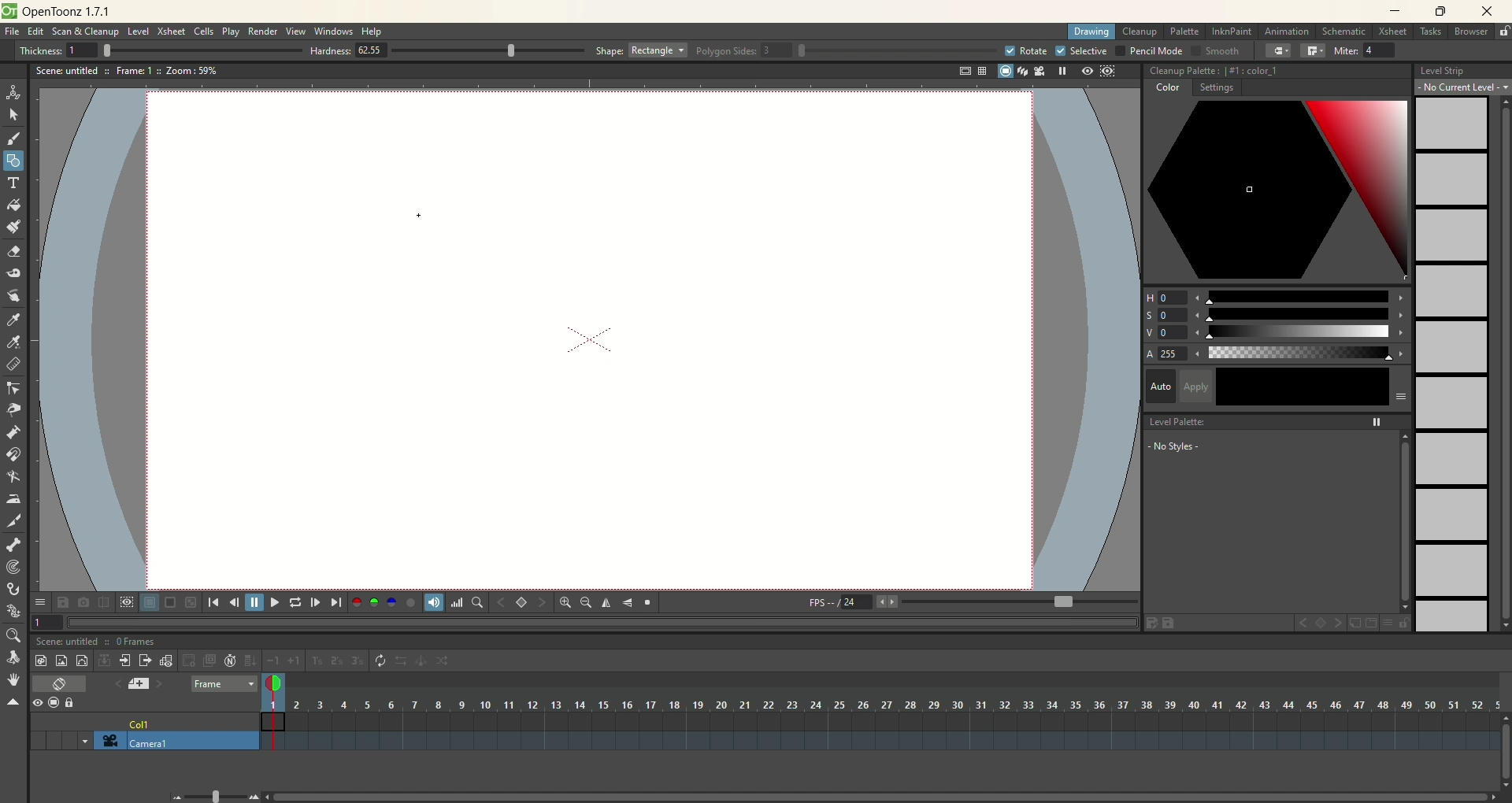 This screenshot has width=1512, height=803. What do you see at coordinates (628, 603) in the screenshot?
I see `flip vertically` at bounding box center [628, 603].